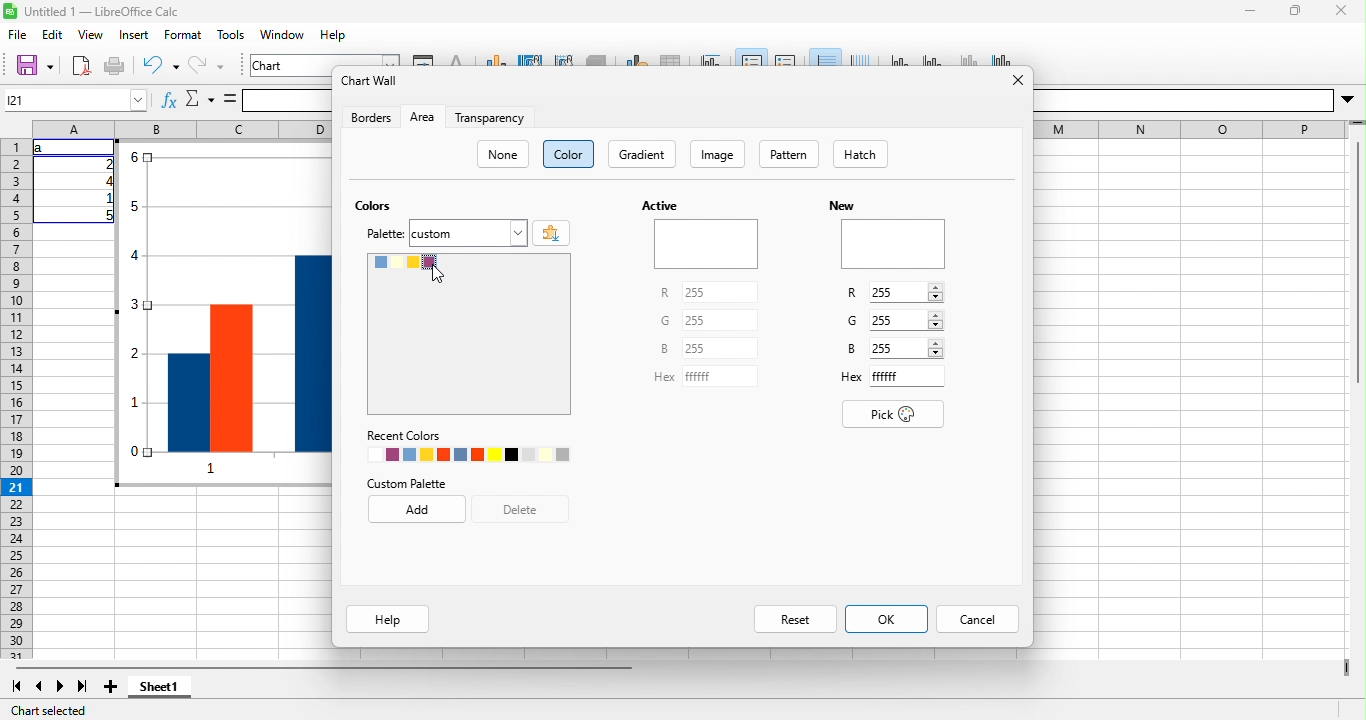 The image size is (1366, 720). I want to click on image, so click(717, 154).